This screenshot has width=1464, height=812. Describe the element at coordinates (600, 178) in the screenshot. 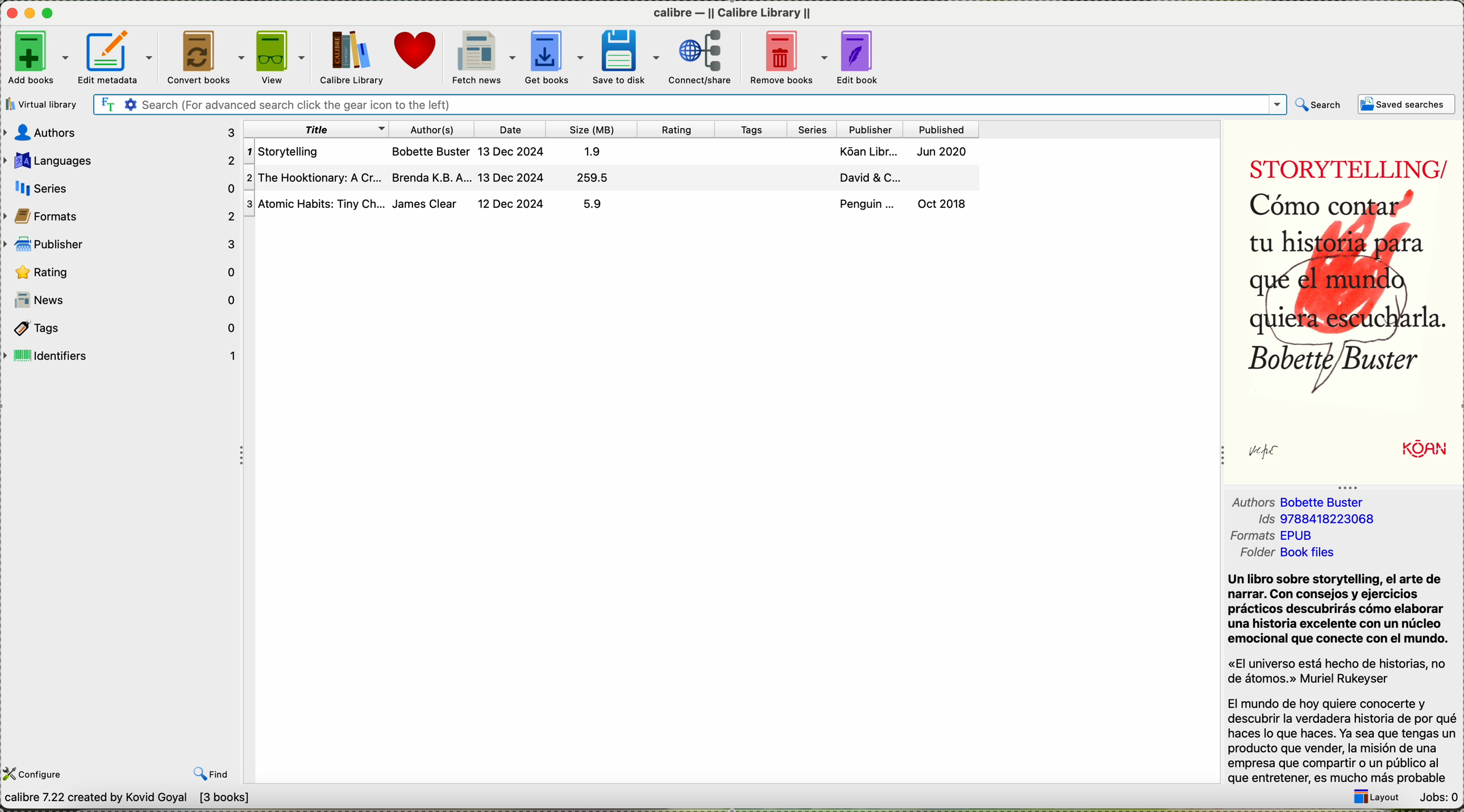

I see `259.5` at that location.